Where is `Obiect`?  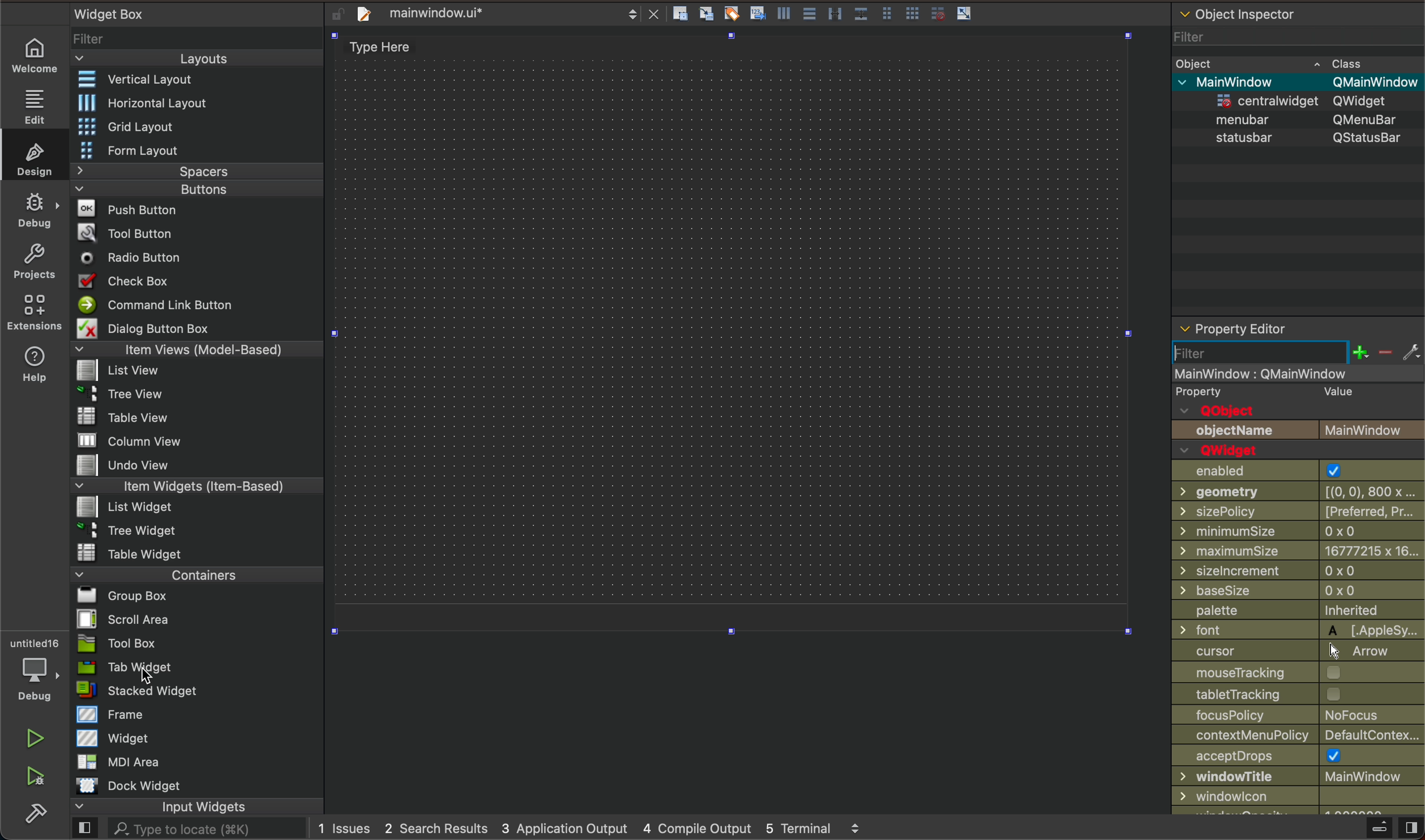 Obiect is located at coordinates (1194, 61).